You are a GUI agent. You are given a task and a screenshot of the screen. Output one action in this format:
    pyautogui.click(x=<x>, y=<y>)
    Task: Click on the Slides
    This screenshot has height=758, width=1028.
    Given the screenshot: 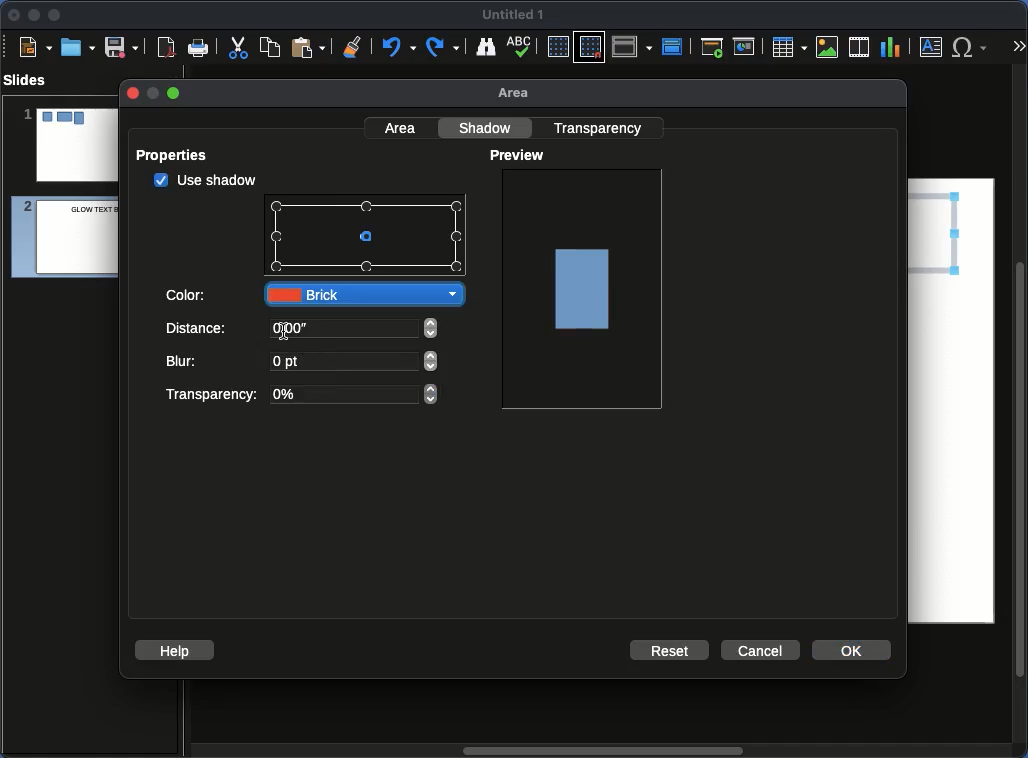 What is the action you would take?
    pyautogui.click(x=31, y=80)
    